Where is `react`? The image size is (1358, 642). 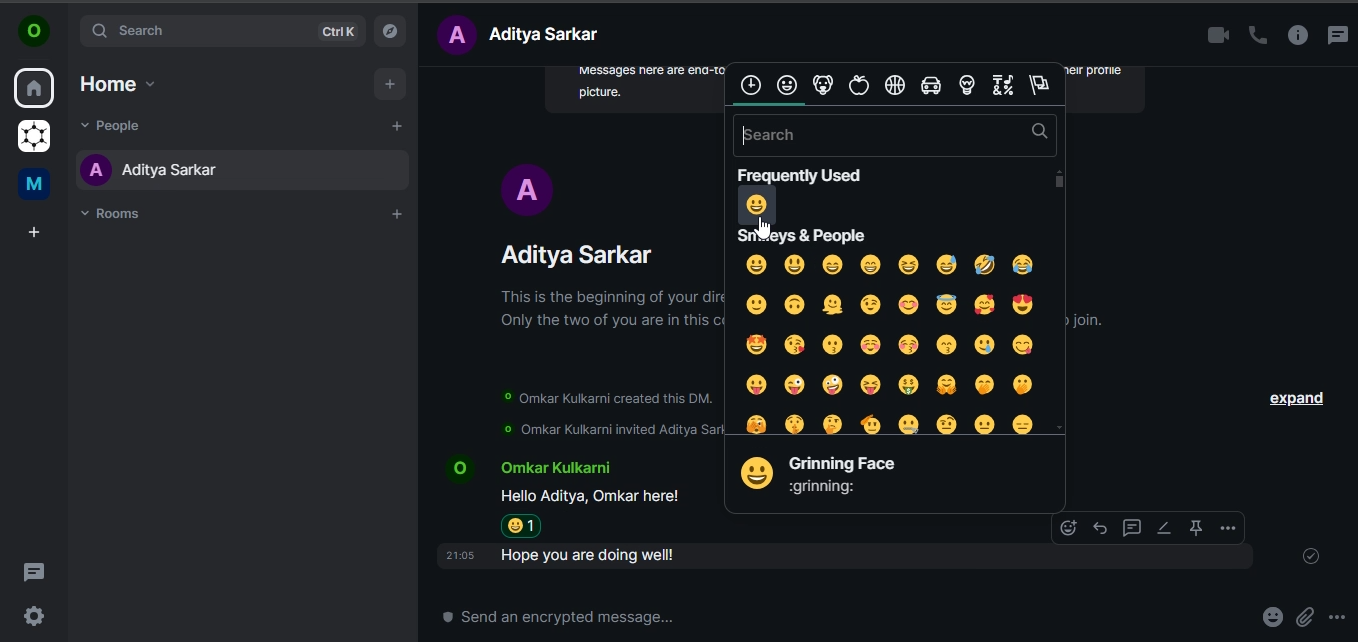
react is located at coordinates (1067, 528).